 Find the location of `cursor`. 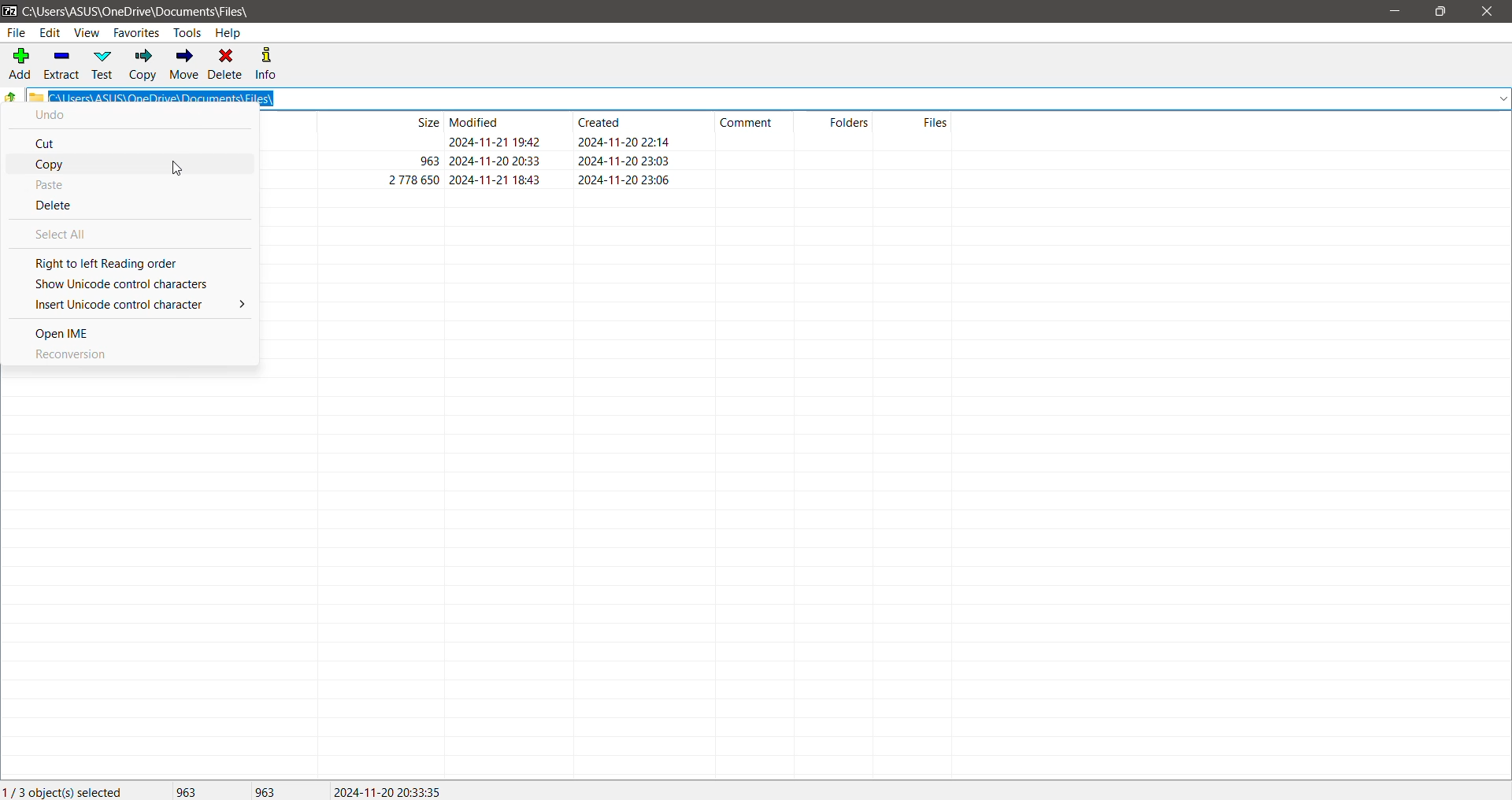

cursor is located at coordinates (178, 168).